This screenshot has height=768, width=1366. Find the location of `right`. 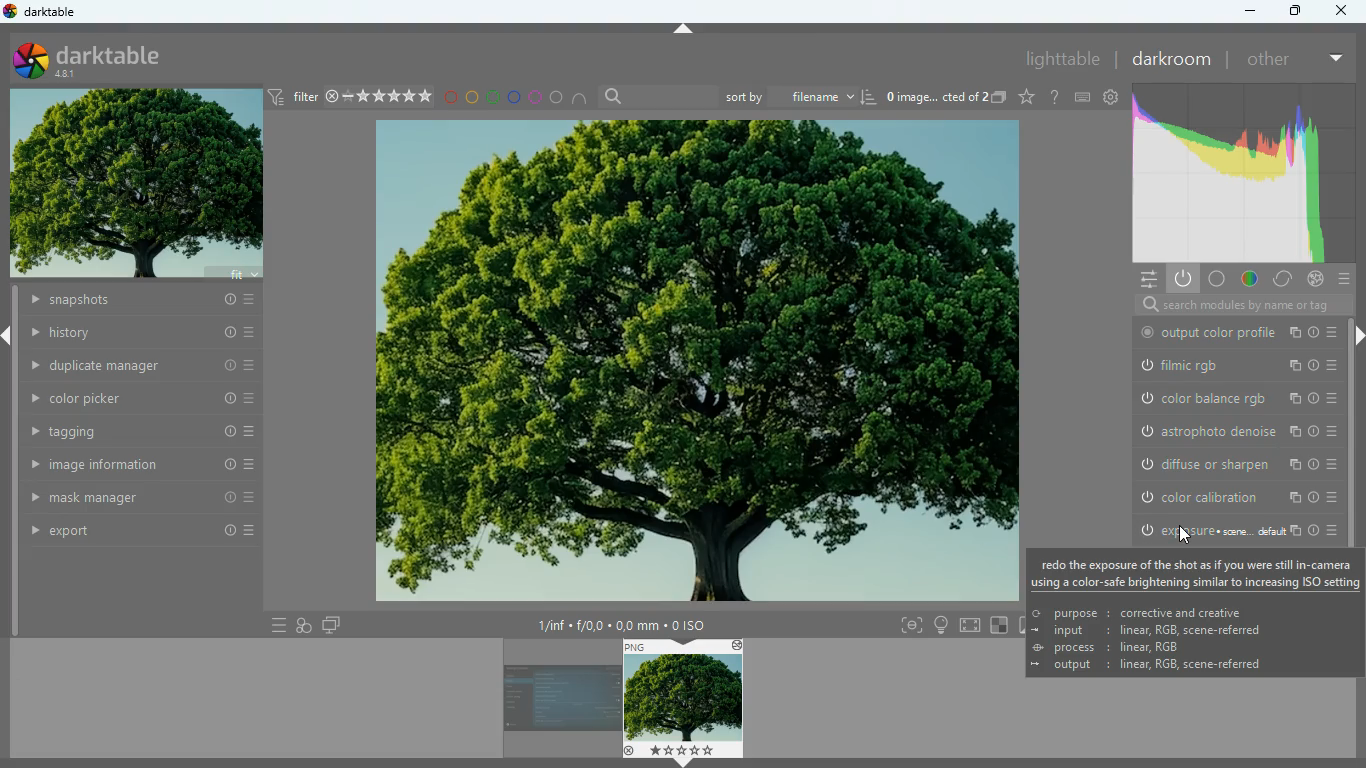

right is located at coordinates (1357, 338).